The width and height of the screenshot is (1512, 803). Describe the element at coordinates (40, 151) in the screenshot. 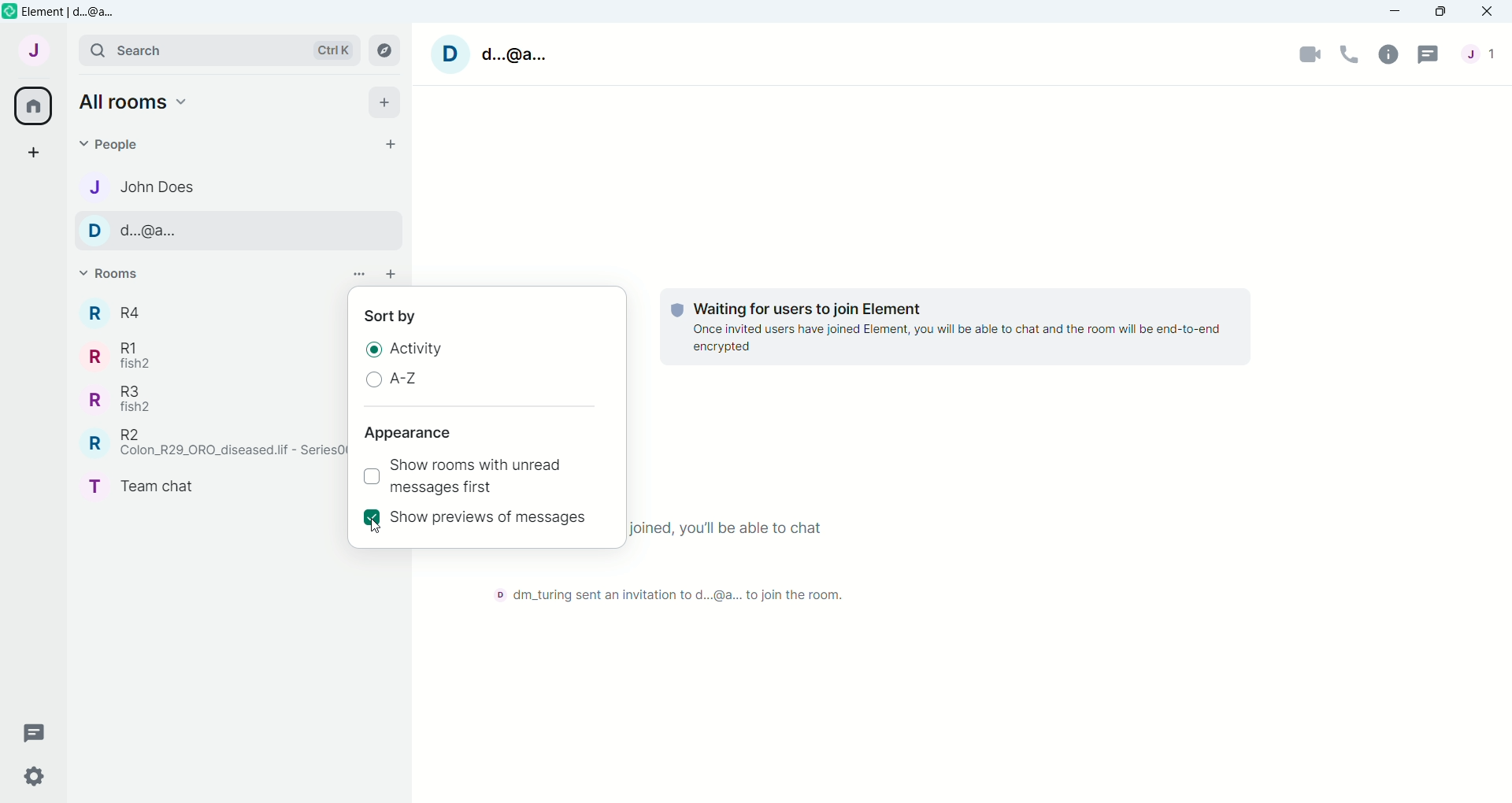

I see `Create a space` at that location.